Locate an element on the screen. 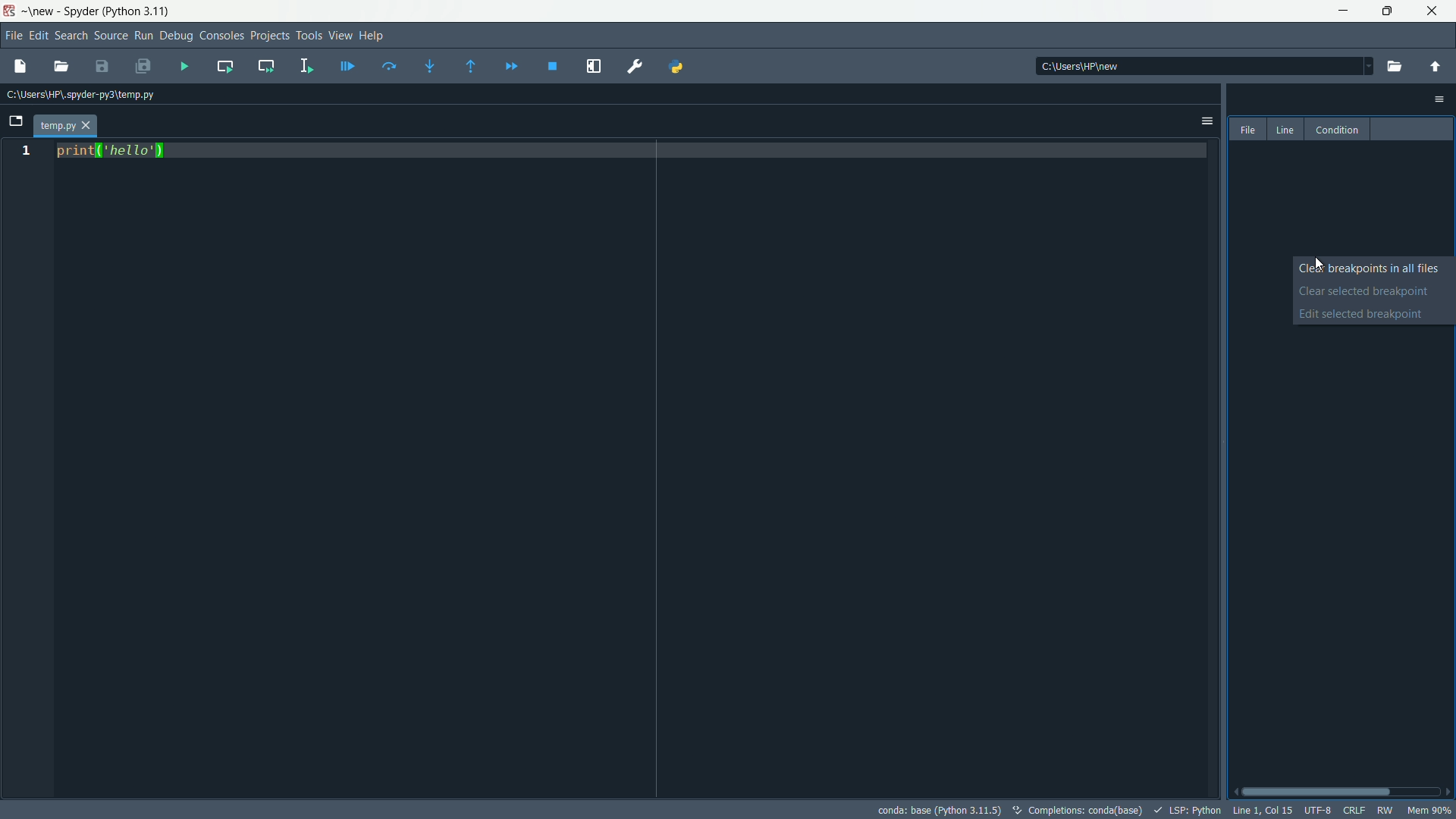 The width and height of the screenshot is (1456, 819). clear selected breakpoint is located at coordinates (1374, 291).